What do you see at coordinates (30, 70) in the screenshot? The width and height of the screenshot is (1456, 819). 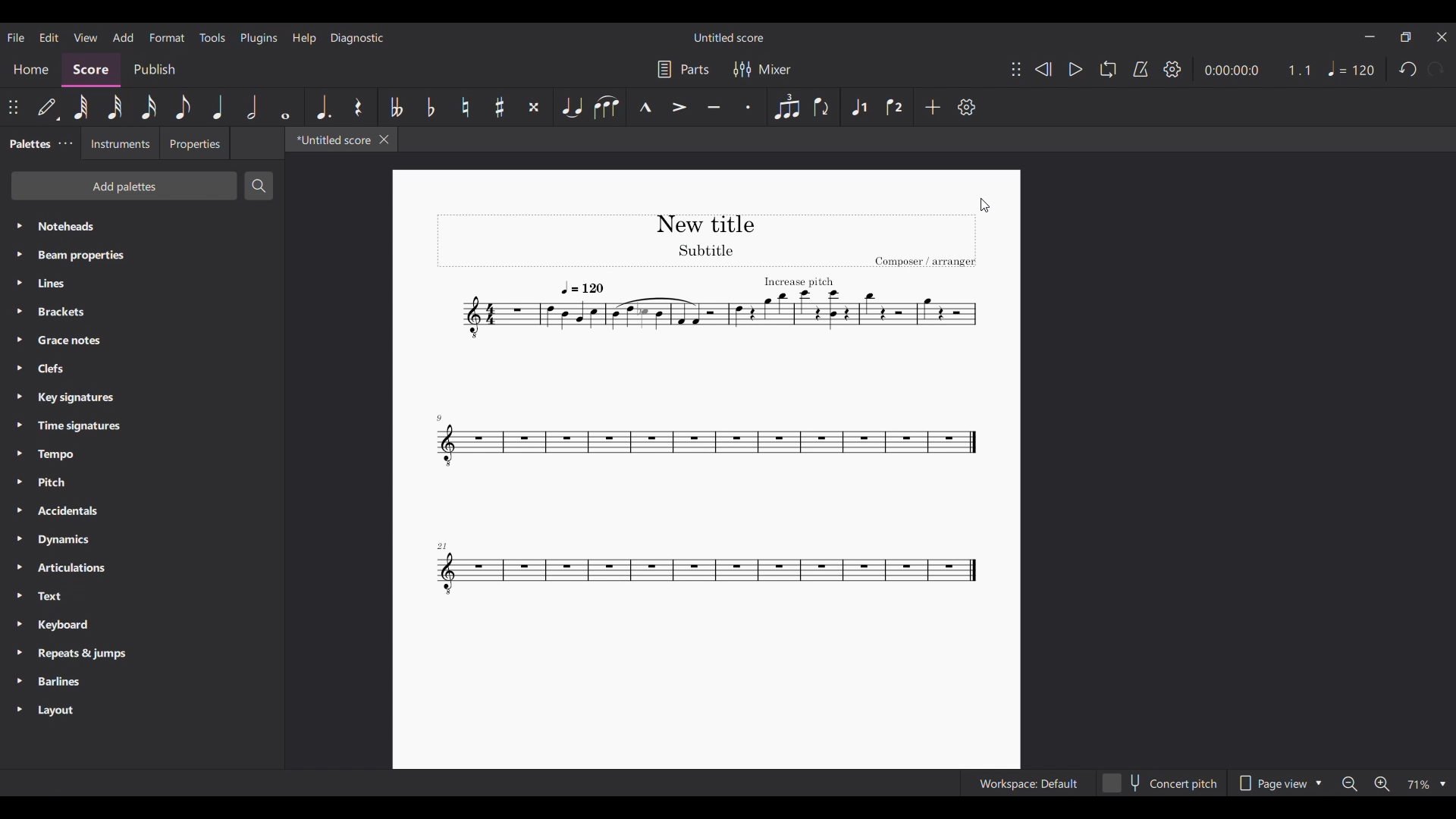 I see `Home section` at bounding box center [30, 70].